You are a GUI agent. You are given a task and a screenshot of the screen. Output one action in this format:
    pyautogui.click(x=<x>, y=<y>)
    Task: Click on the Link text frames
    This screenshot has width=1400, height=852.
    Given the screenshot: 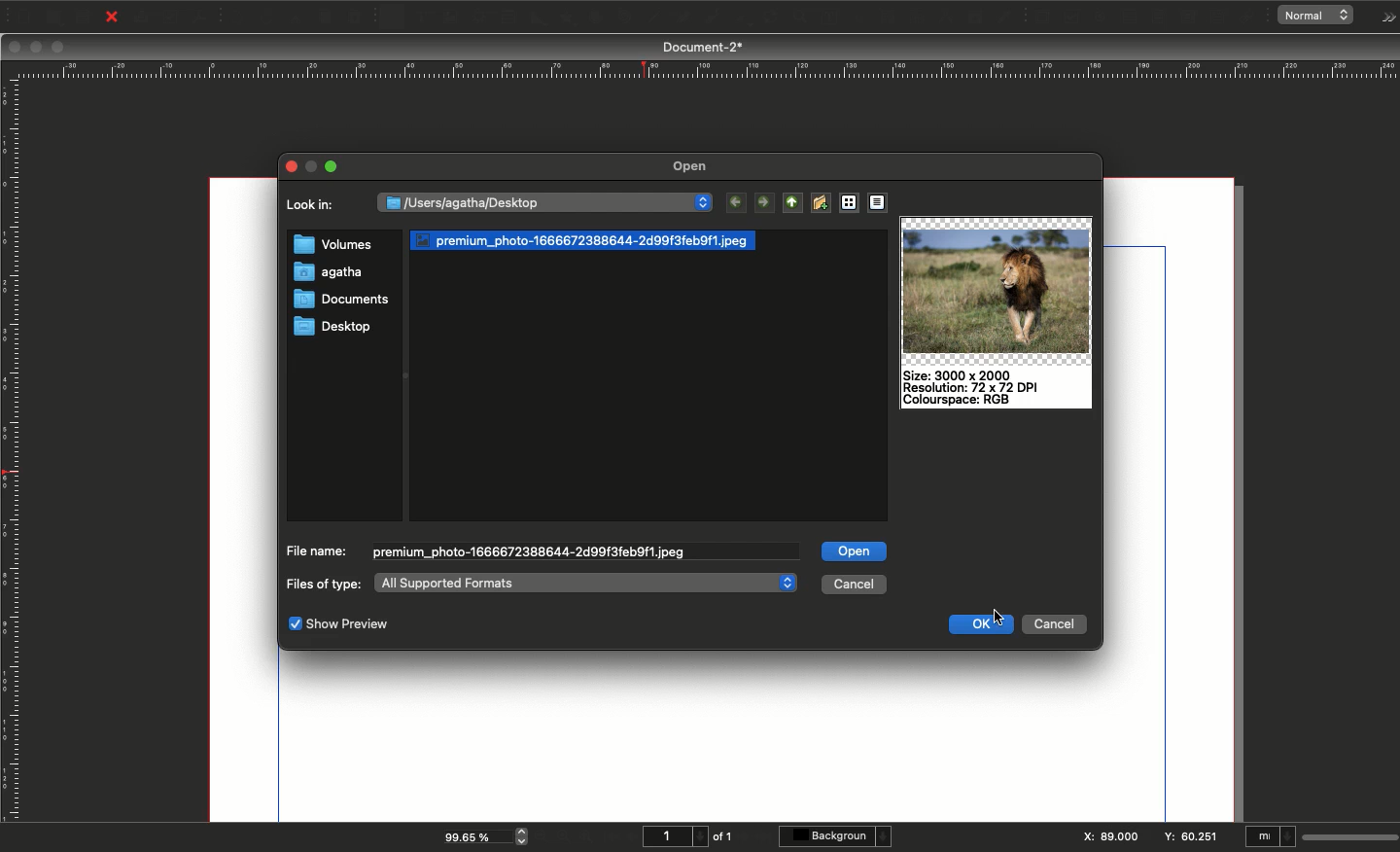 What is the action you would take?
    pyautogui.click(x=880, y=17)
    